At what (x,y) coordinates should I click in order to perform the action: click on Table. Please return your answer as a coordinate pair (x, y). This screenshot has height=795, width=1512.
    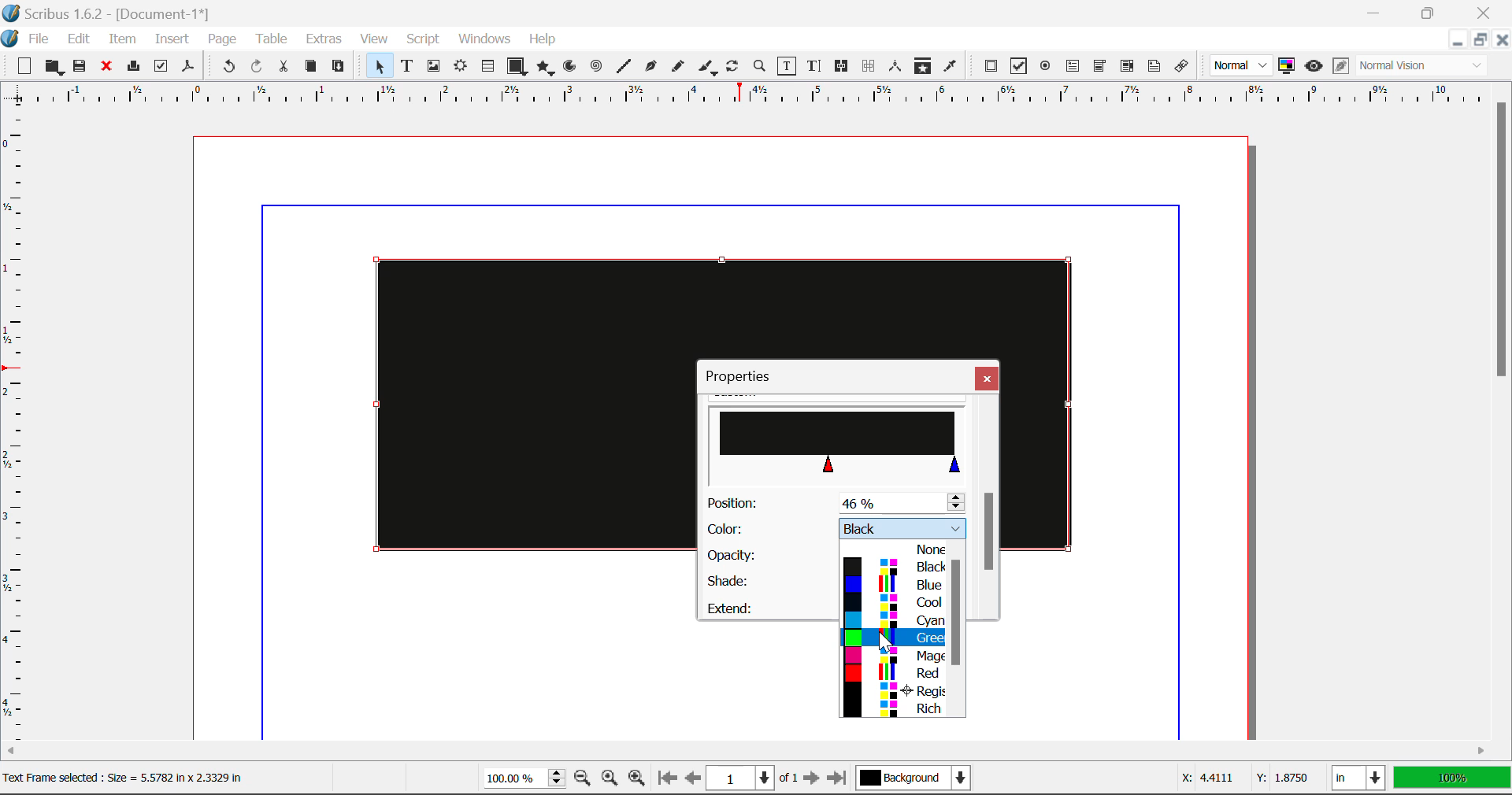
    Looking at the image, I should click on (270, 40).